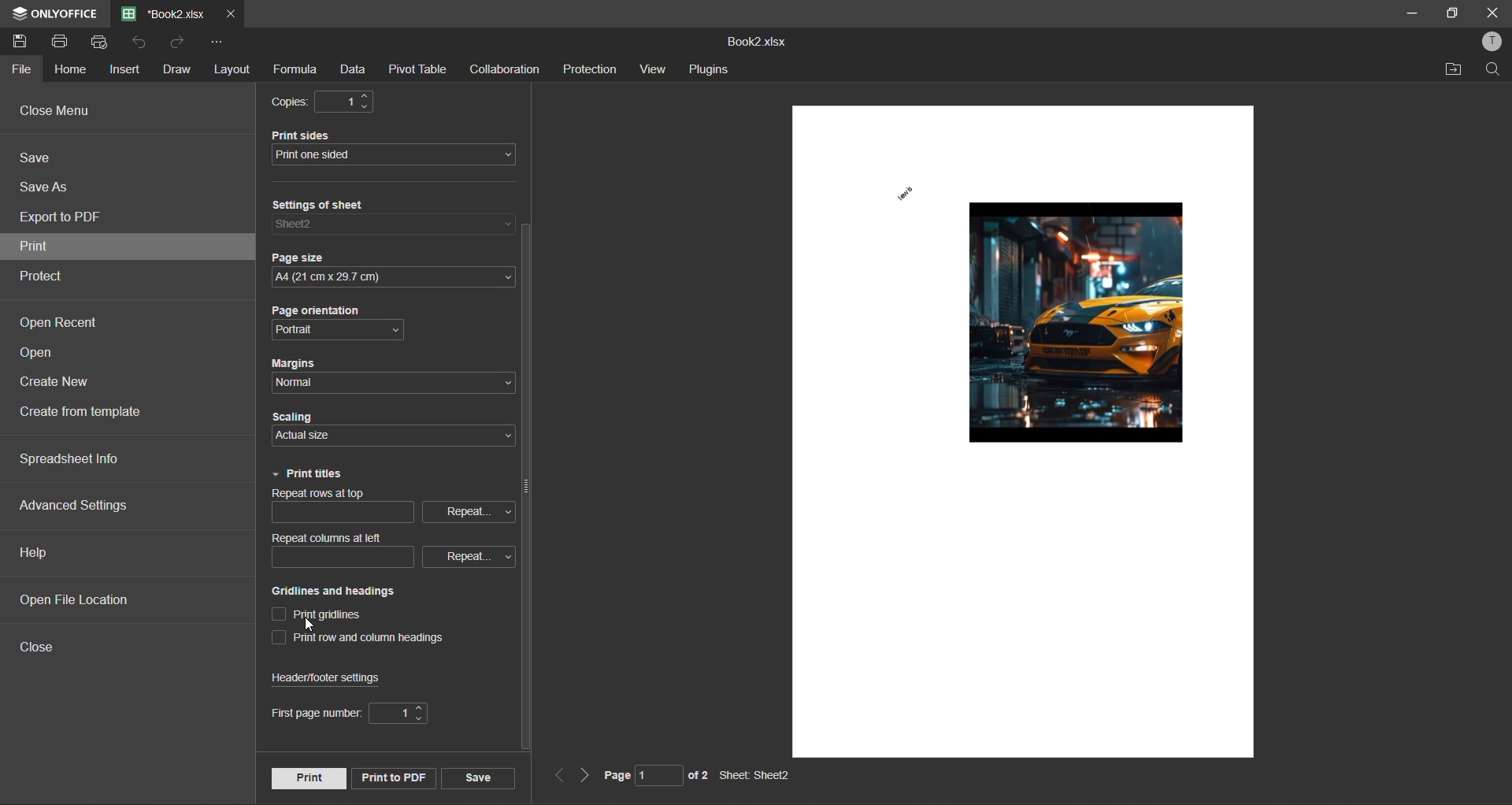 This screenshot has height=805, width=1512. Describe the element at coordinates (42, 248) in the screenshot. I see `print` at that location.